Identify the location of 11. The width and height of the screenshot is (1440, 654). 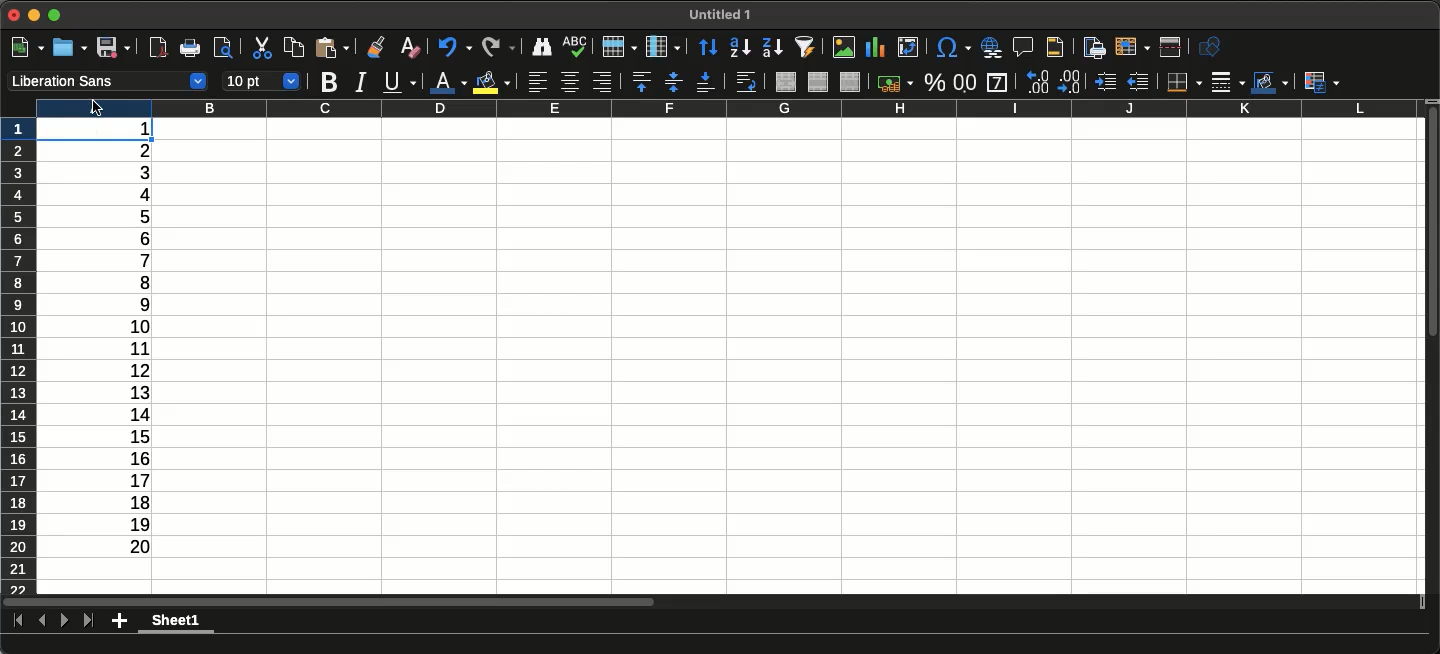
(131, 348).